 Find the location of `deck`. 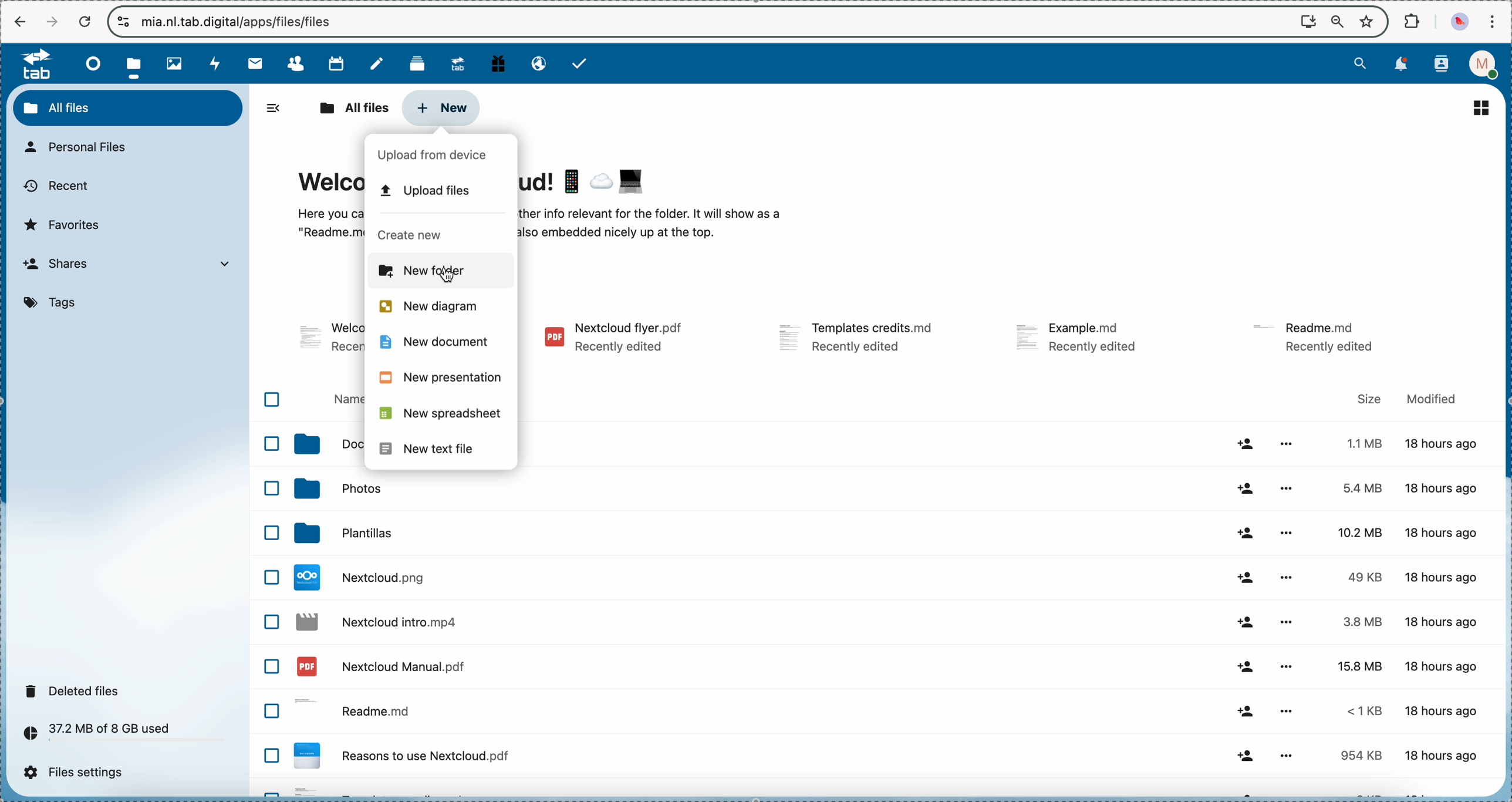

deck is located at coordinates (420, 62).